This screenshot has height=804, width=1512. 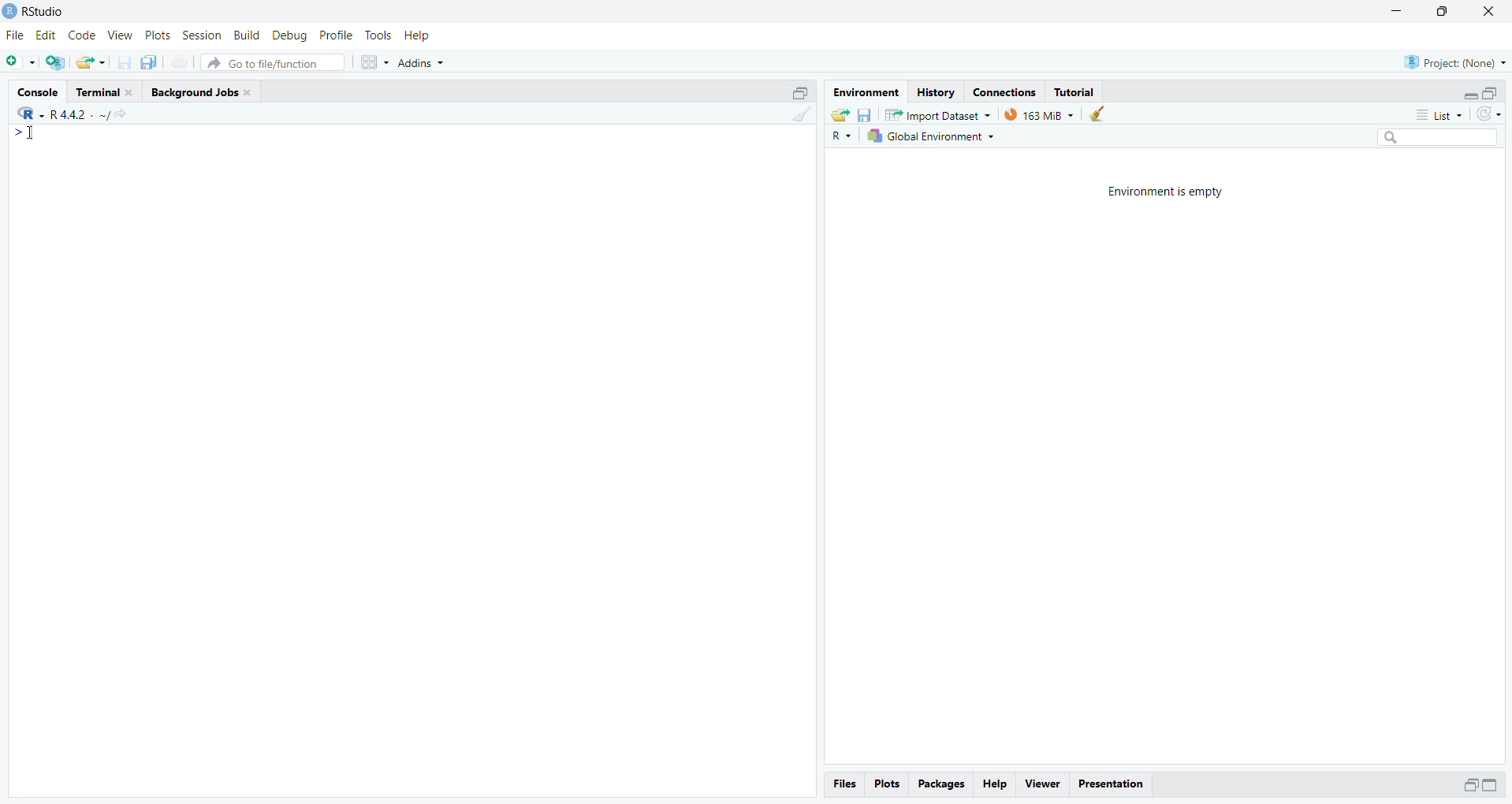 What do you see at coordinates (840, 115) in the screenshot?
I see `share` at bounding box center [840, 115].